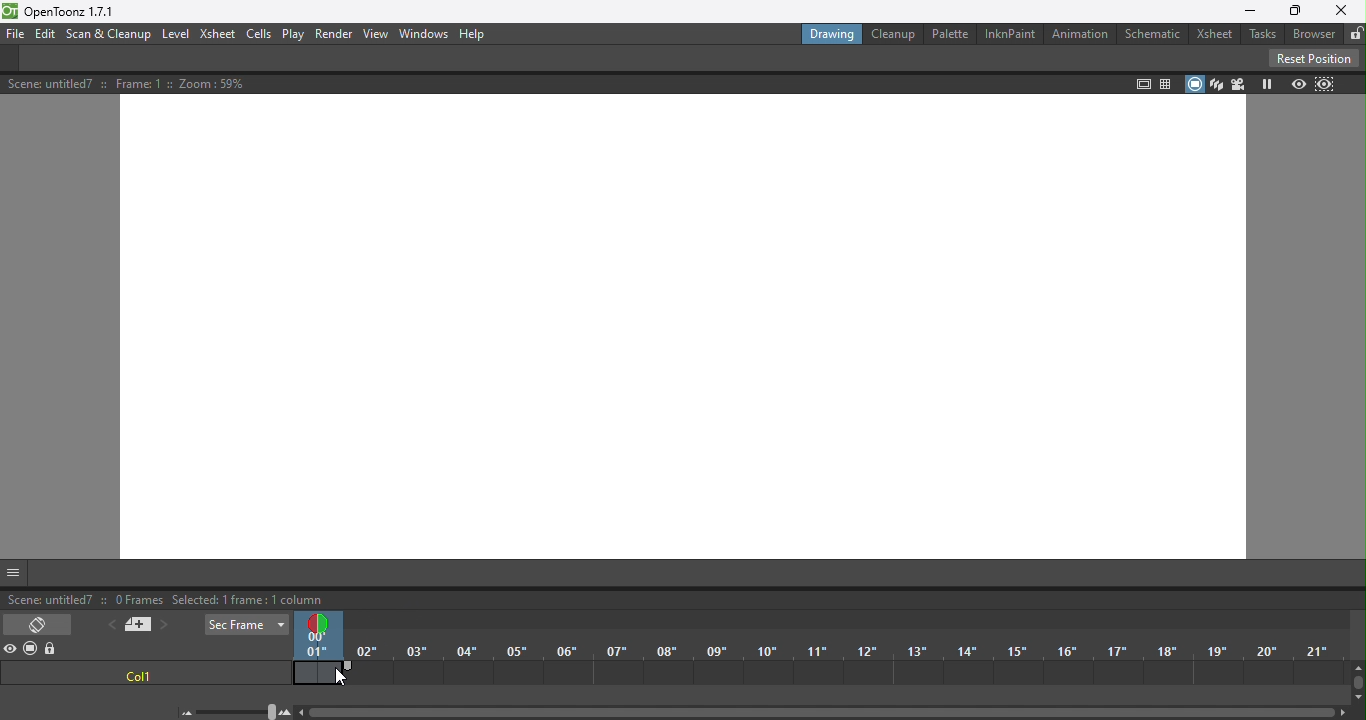 This screenshot has height=720, width=1366. I want to click on Xsheet, so click(1217, 35).